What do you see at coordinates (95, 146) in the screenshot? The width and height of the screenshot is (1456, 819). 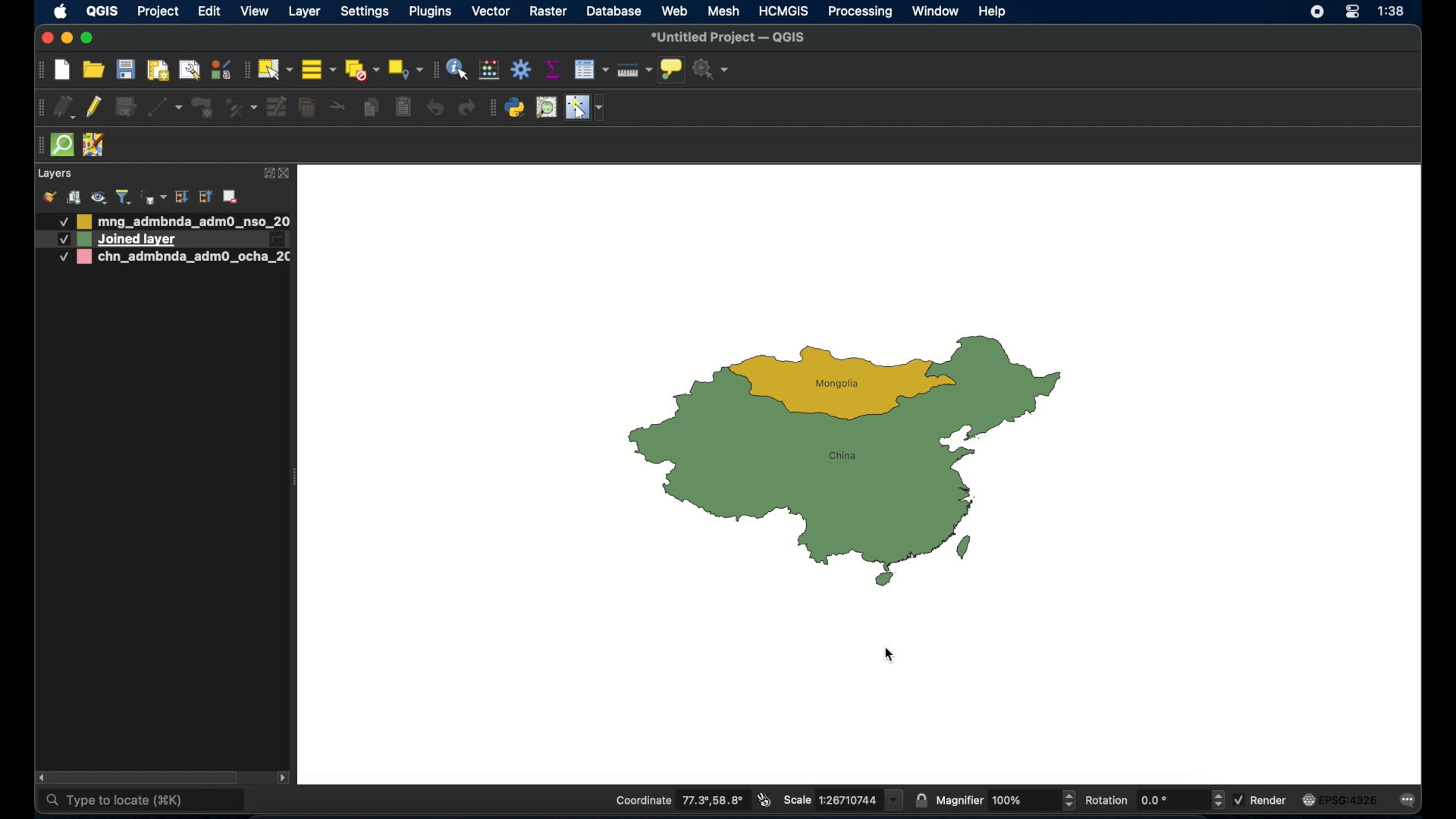 I see `josh remote` at bounding box center [95, 146].